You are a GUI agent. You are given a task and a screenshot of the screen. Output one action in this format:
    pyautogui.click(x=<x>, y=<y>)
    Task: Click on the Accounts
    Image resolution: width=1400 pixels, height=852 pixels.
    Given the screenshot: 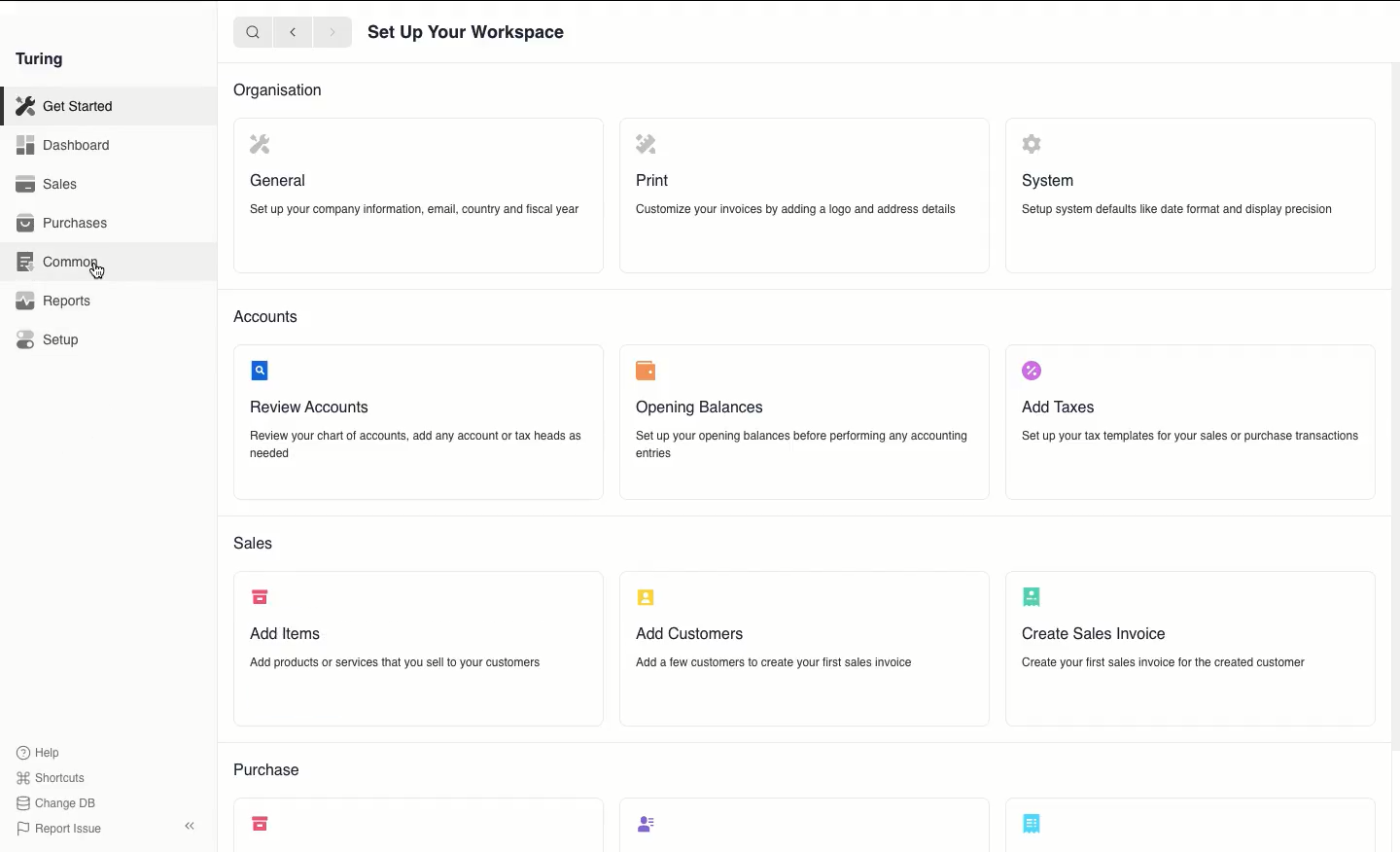 What is the action you would take?
    pyautogui.click(x=269, y=318)
    